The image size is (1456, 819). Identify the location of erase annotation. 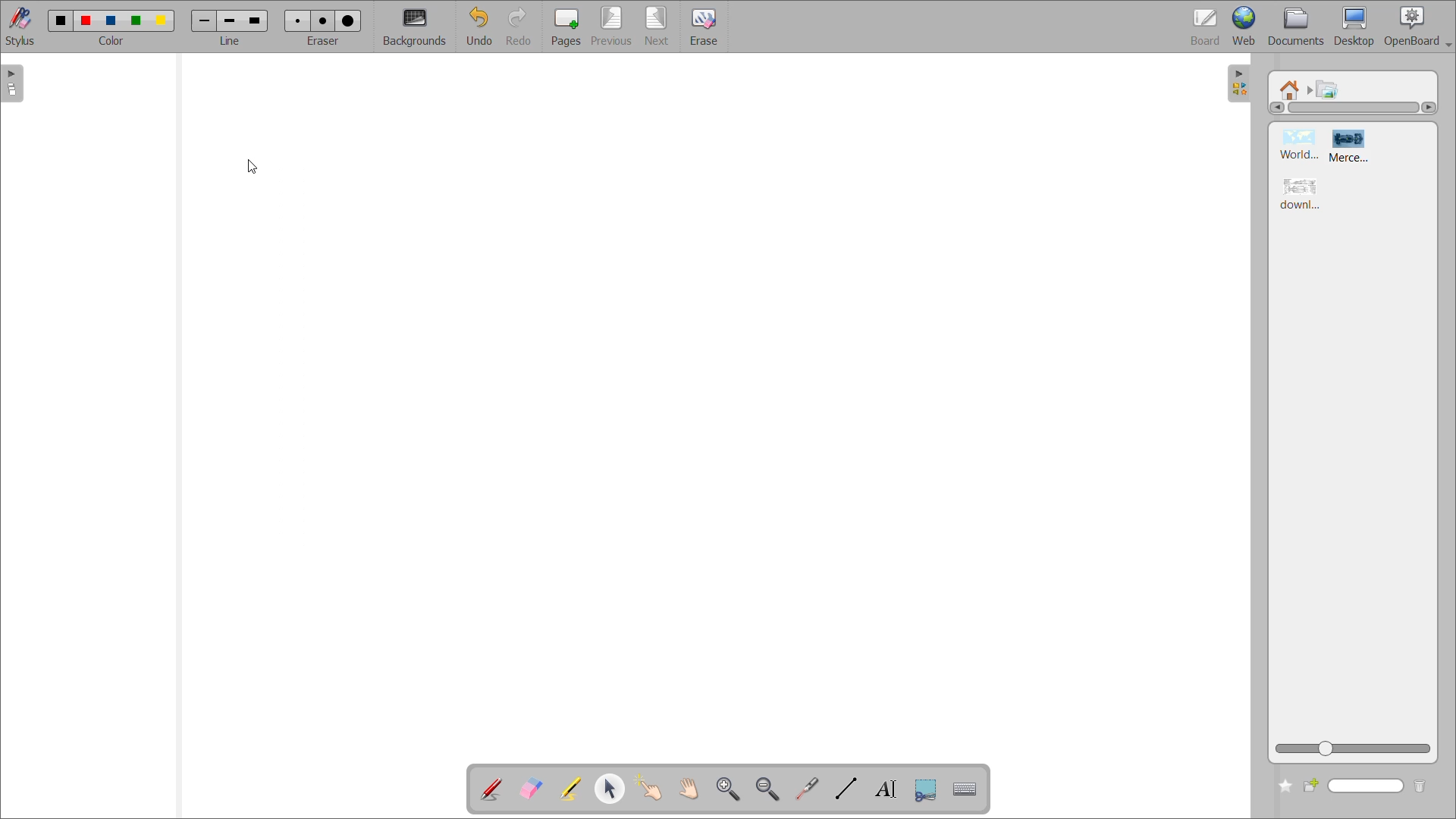
(530, 789).